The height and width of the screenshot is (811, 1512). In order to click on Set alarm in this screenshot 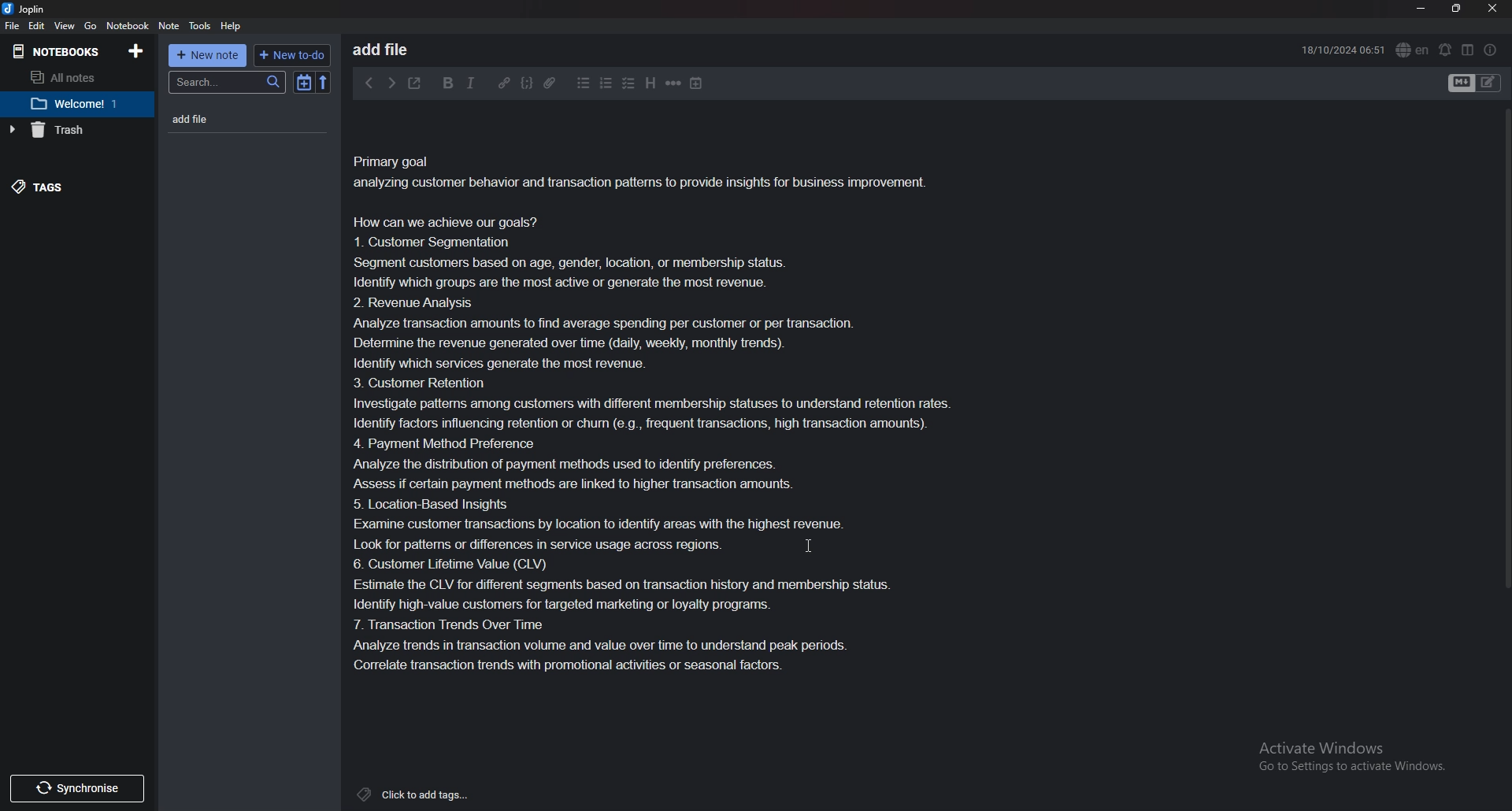, I will do `click(1446, 49)`.